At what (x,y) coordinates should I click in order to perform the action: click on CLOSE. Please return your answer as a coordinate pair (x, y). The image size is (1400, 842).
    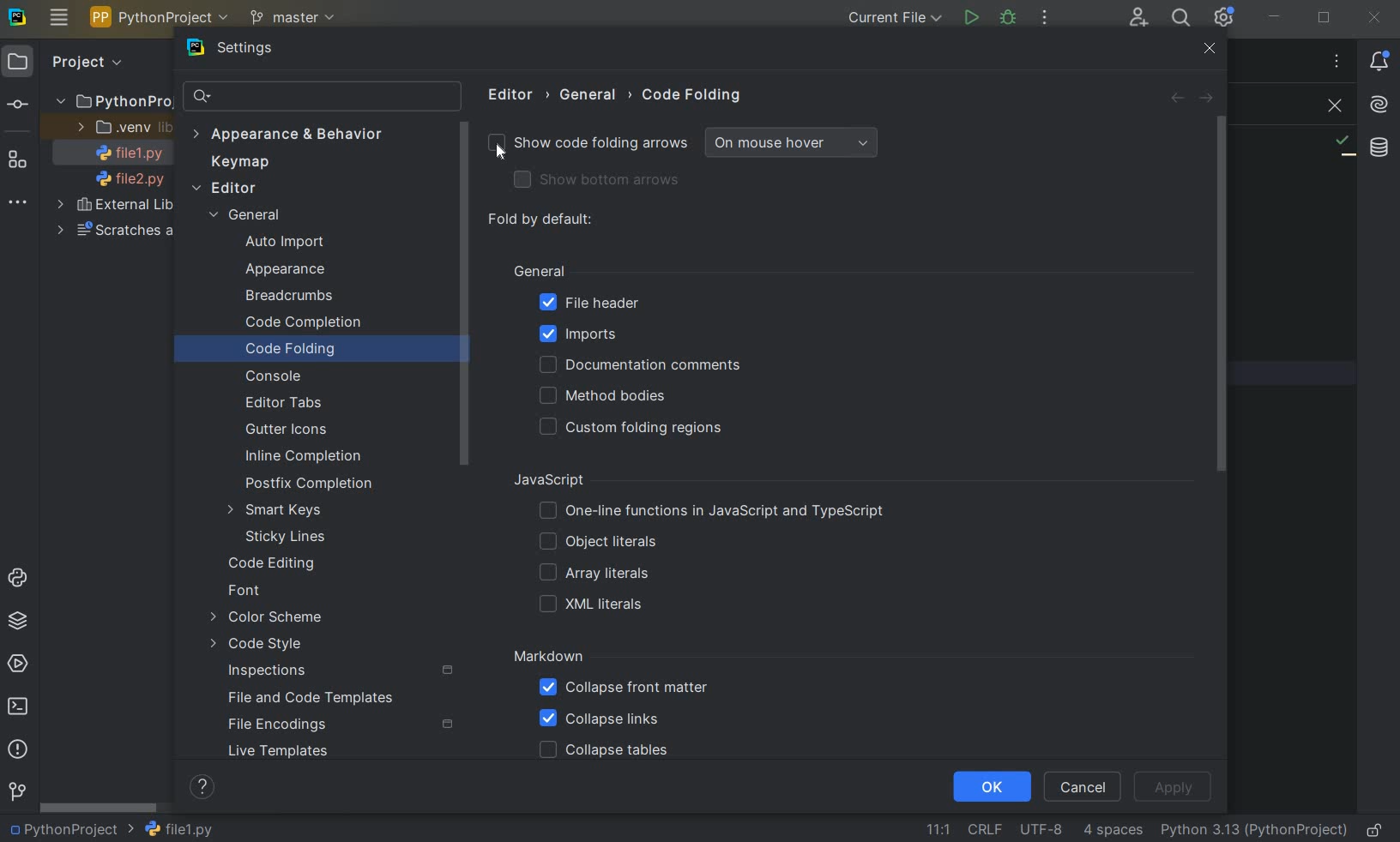
    Looking at the image, I should click on (1210, 49).